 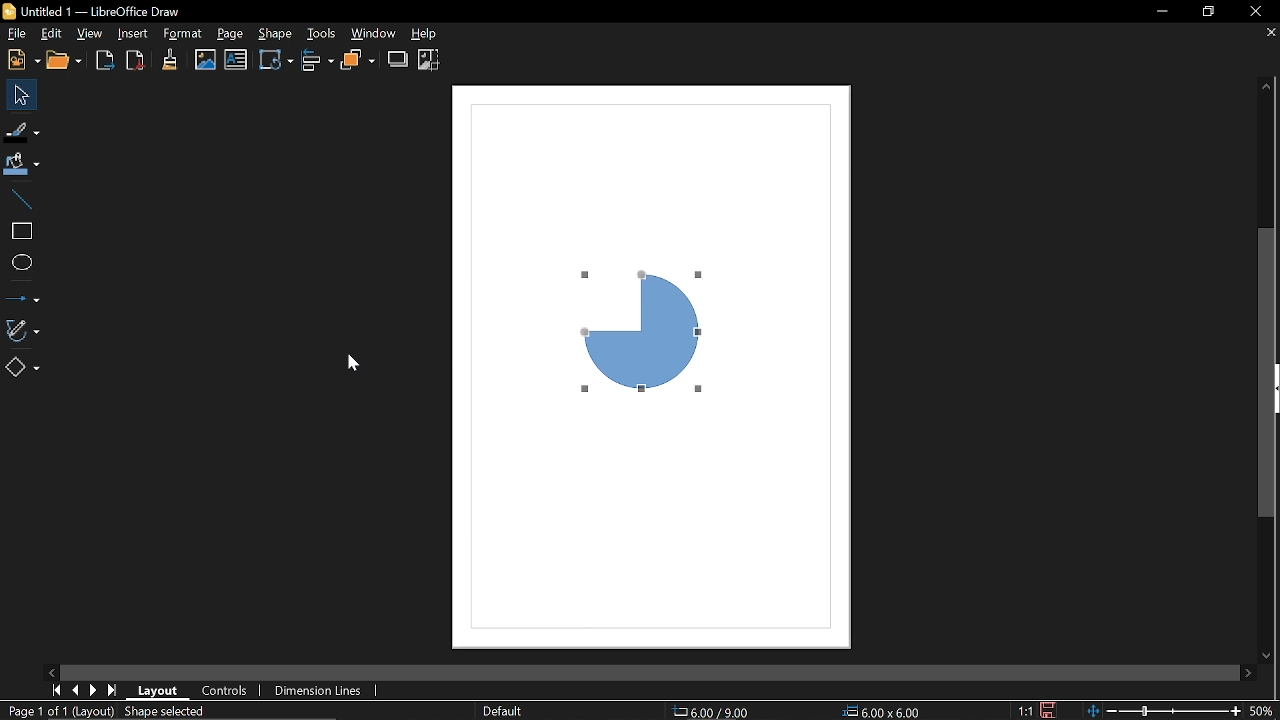 What do you see at coordinates (1266, 87) in the screenshot?
I see `Move up` at bounding box center [1266, 87].